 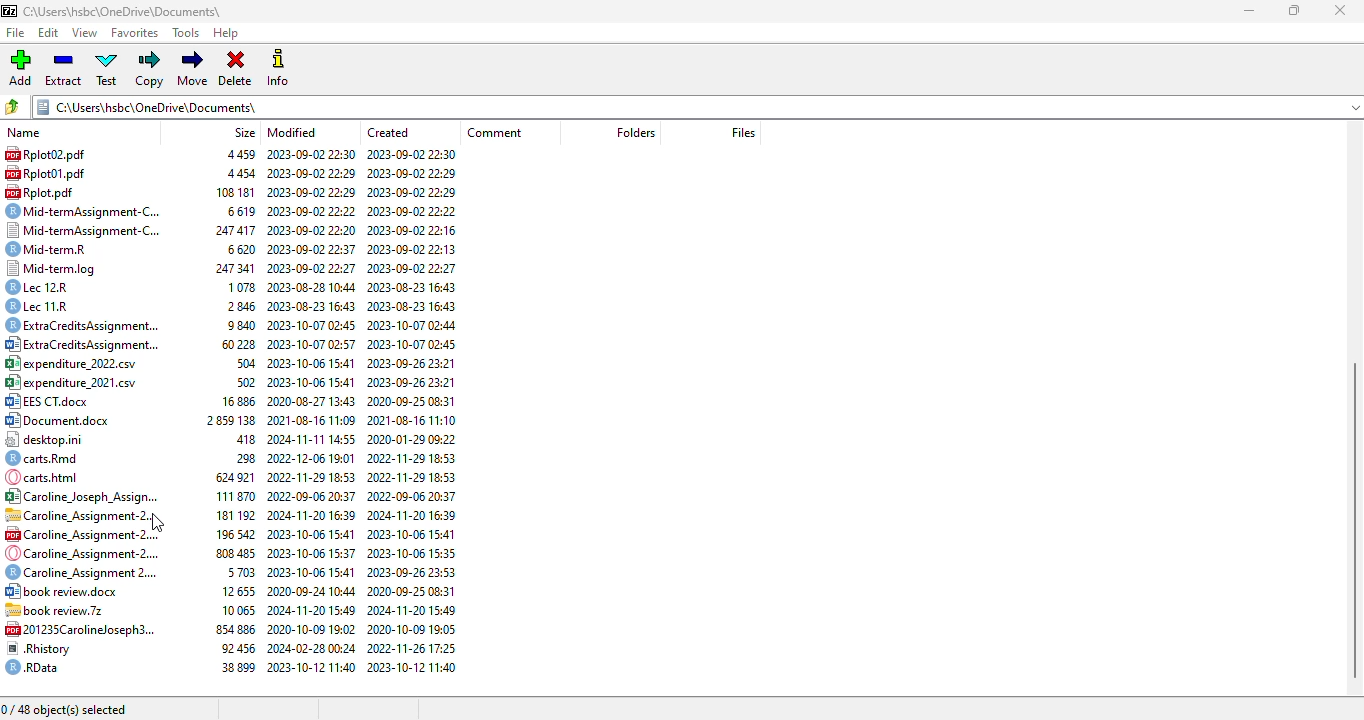 I want to click on 2003-00-26 22:53, so click(x=412, y=571).